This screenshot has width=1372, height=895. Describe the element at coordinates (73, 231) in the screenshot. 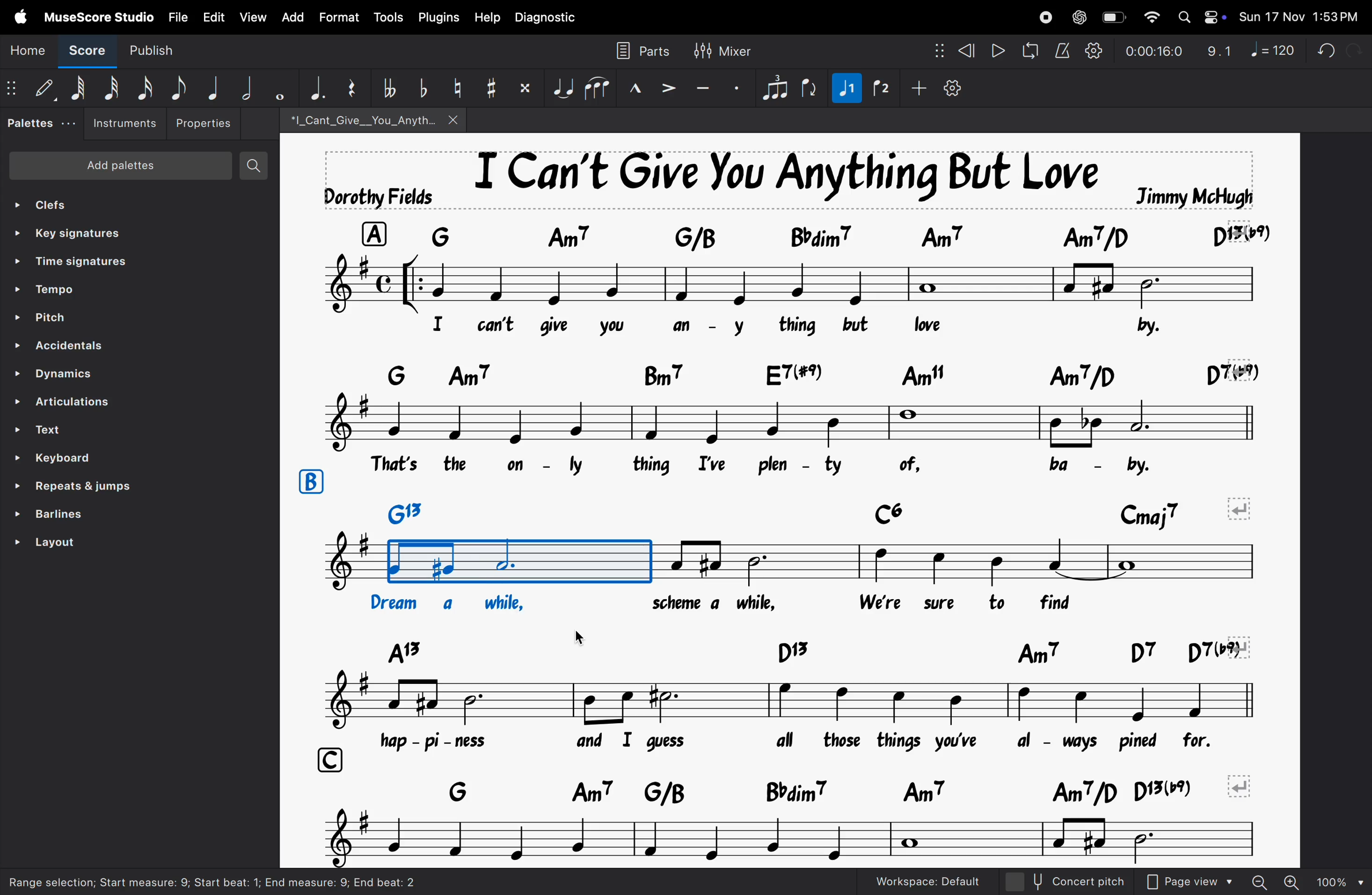

I see `key signatures` at that location.